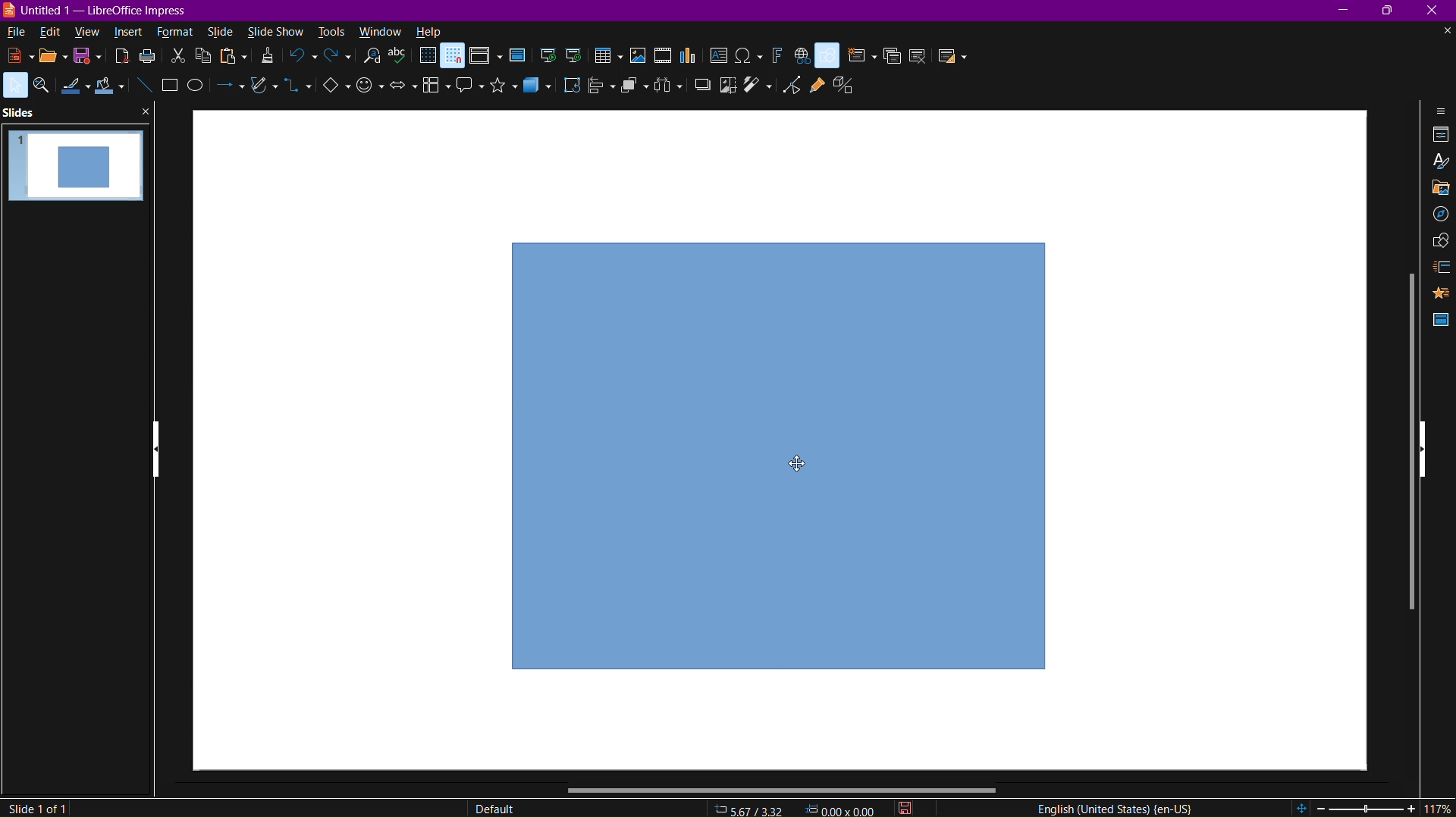 This screenshot has height=817, width=1456. What do you see at coordinates (144, 86) in the screenshot?
I see `Line` at bounding box center [144, 86].